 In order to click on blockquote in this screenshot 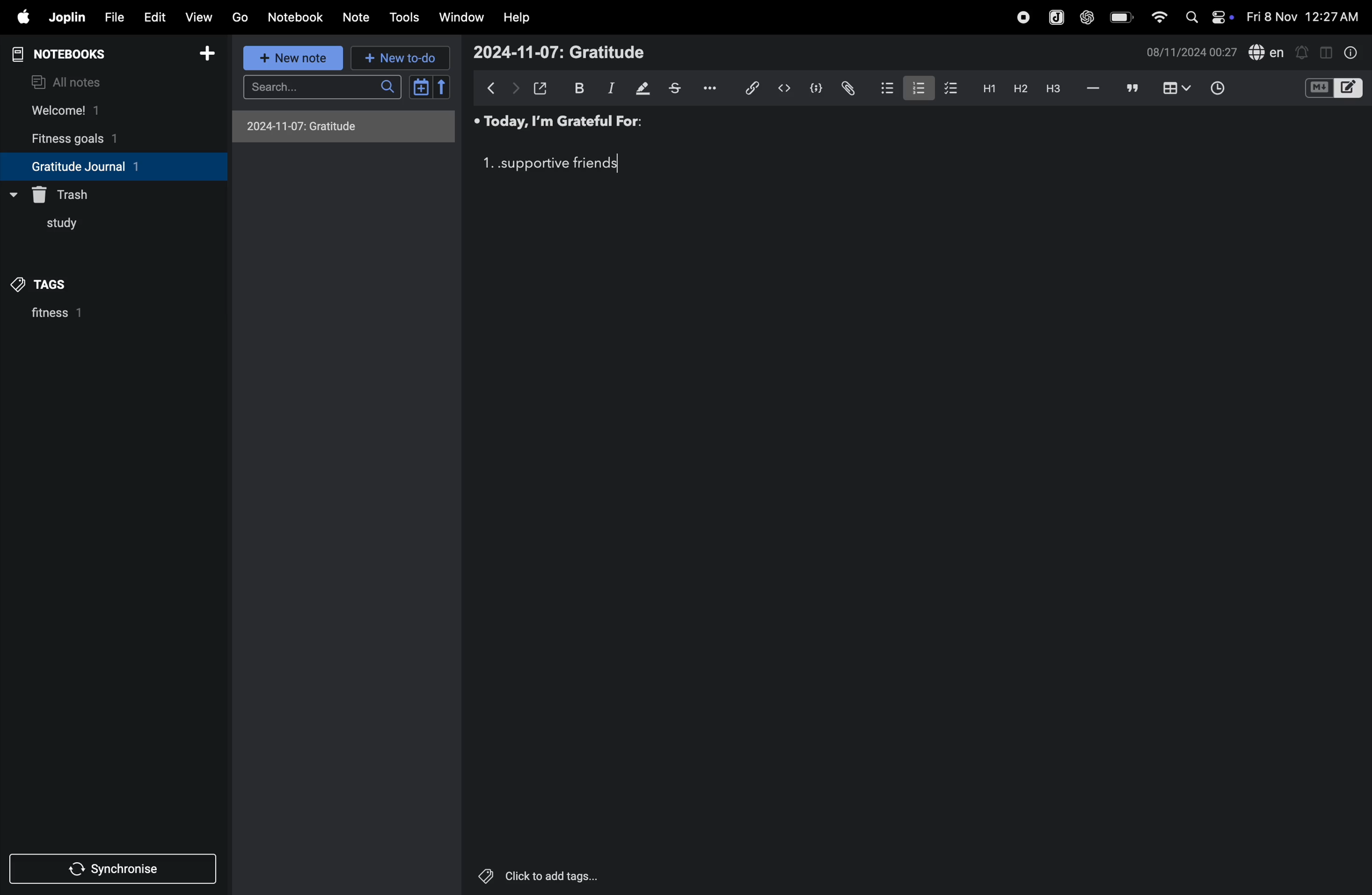, I will do `click(1133, 88)`.